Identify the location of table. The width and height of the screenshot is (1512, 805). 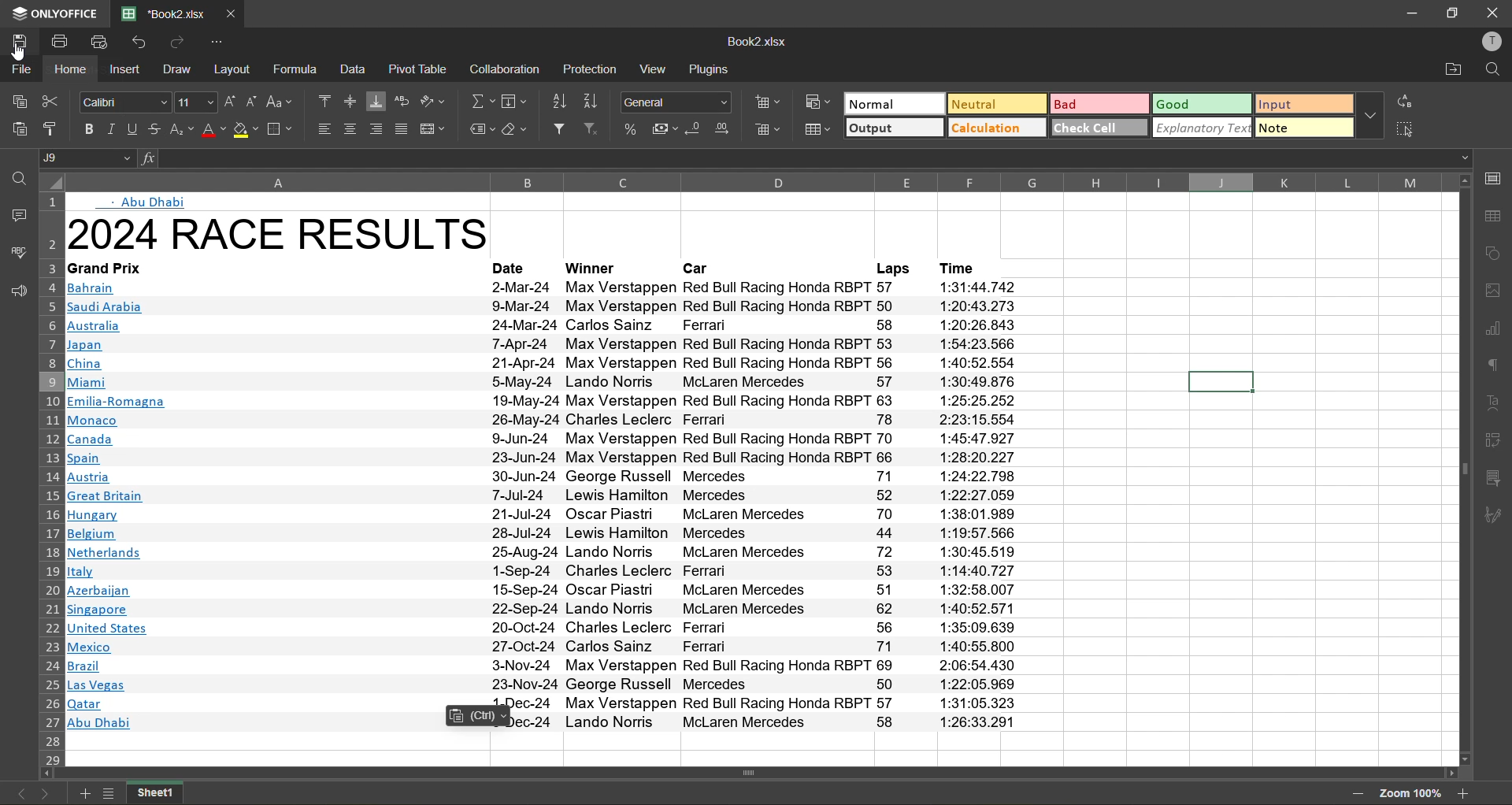
(1494, 219).